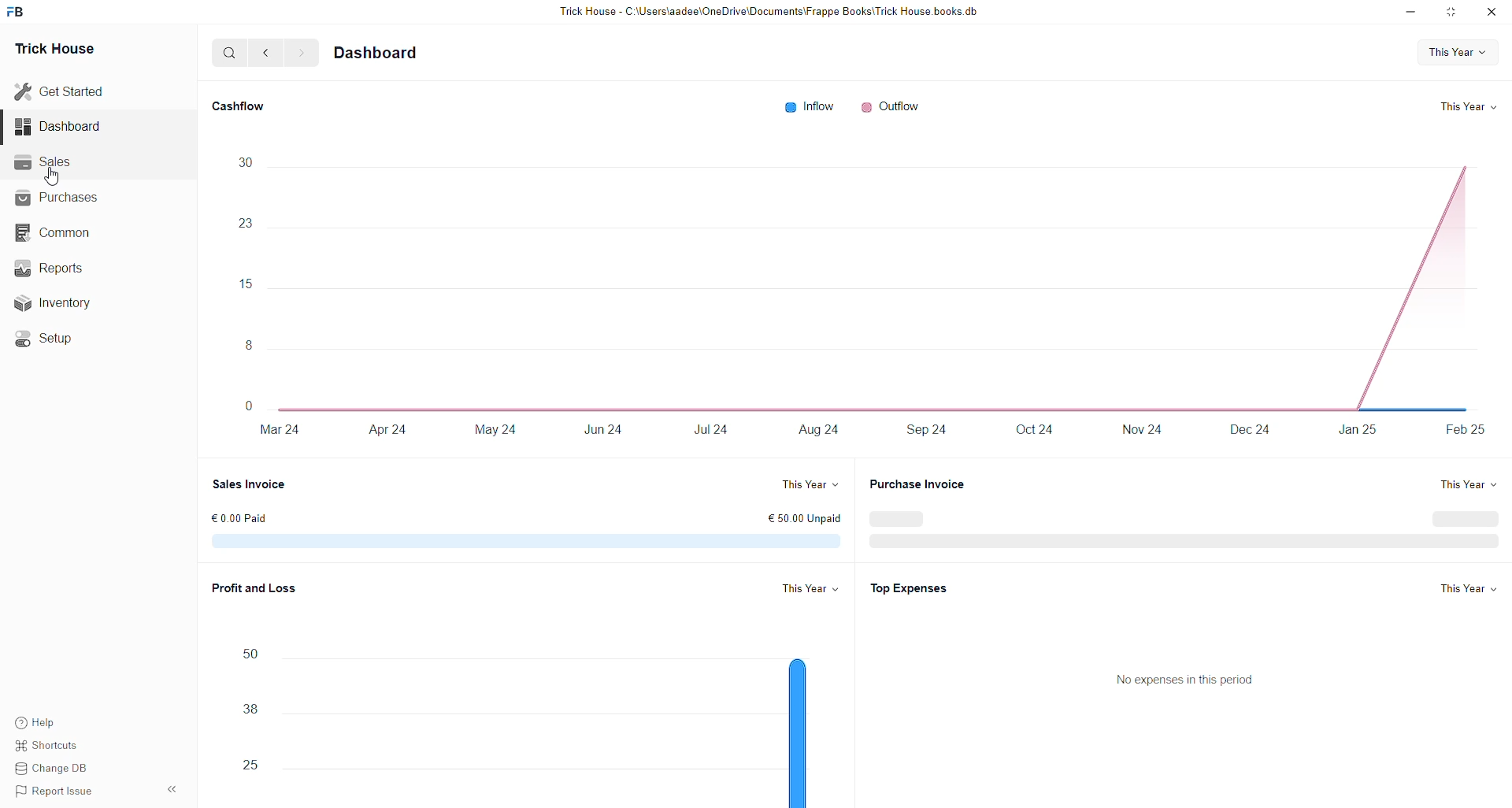 This screenshot has height=808, width=1512. Describe the element at coordinates (50, 166) in the screenshot. I see `Sales` at that location.